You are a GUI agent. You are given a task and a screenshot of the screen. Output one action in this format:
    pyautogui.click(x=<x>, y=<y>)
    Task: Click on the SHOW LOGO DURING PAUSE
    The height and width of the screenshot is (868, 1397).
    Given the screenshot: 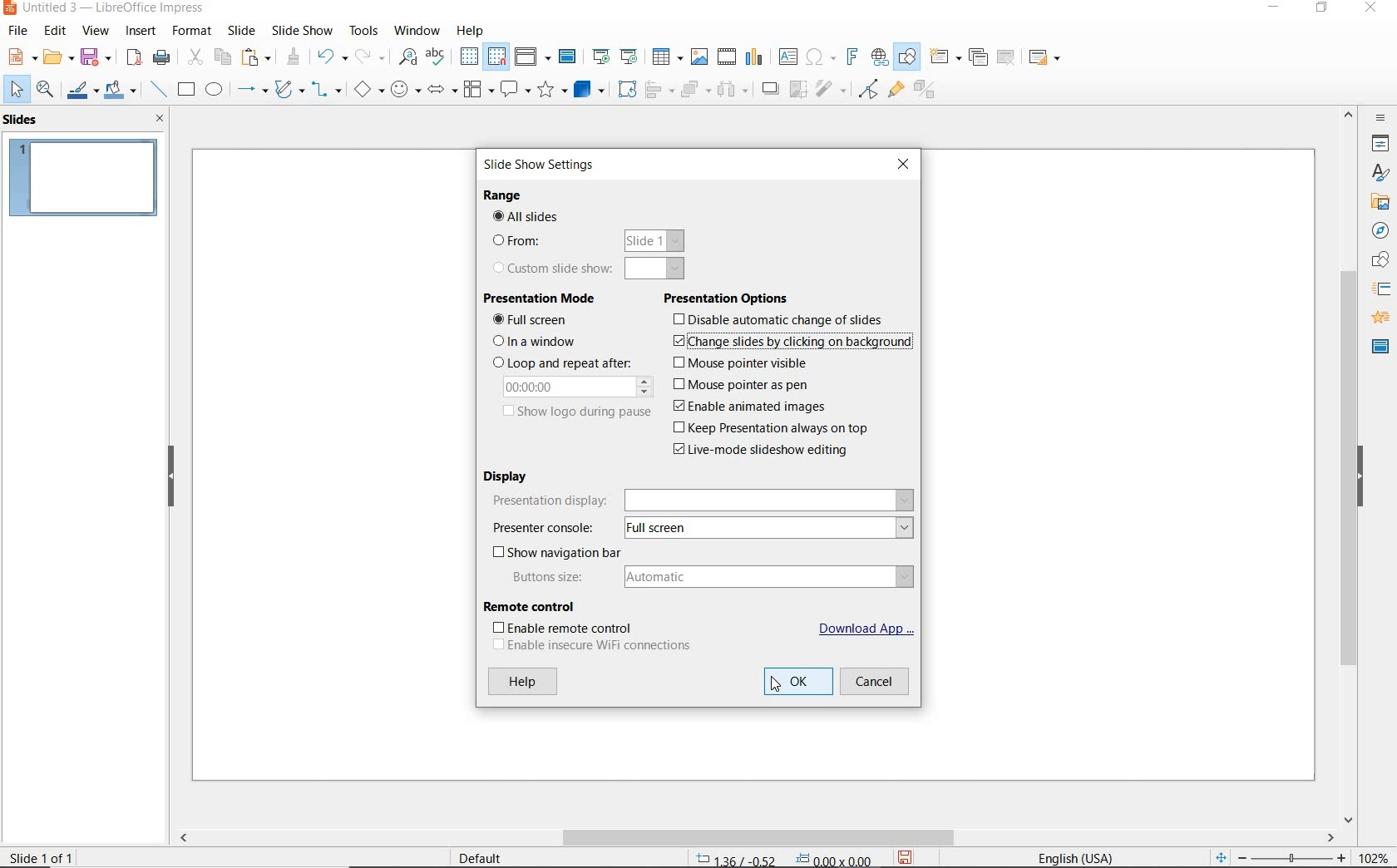 What is the action you would take?
    pyautogui.click(x=577, y=413)
    